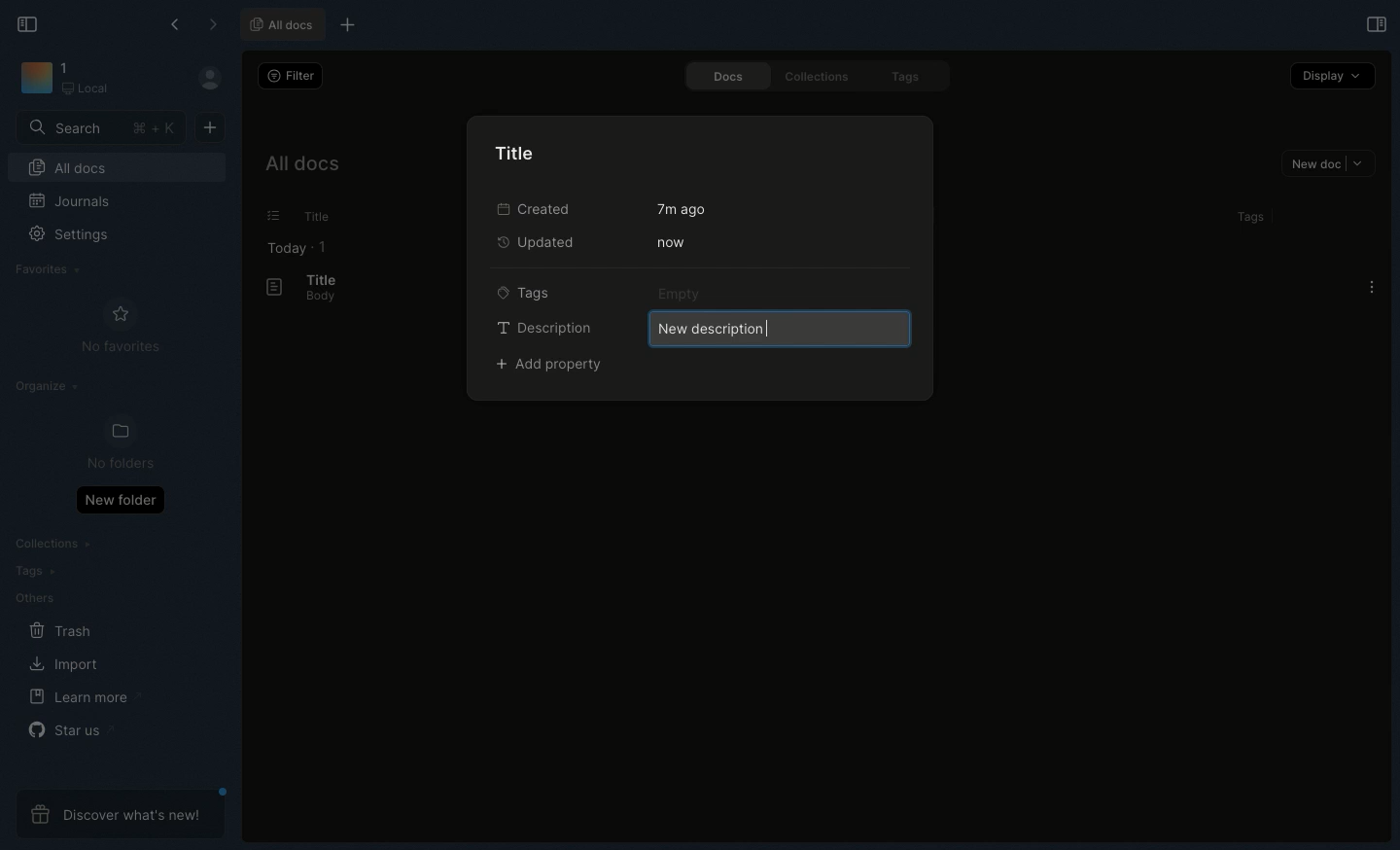  What do you see at coordinates (344, 26) in the screenshot?
I see `New tab` at bounding box center [344, 26].